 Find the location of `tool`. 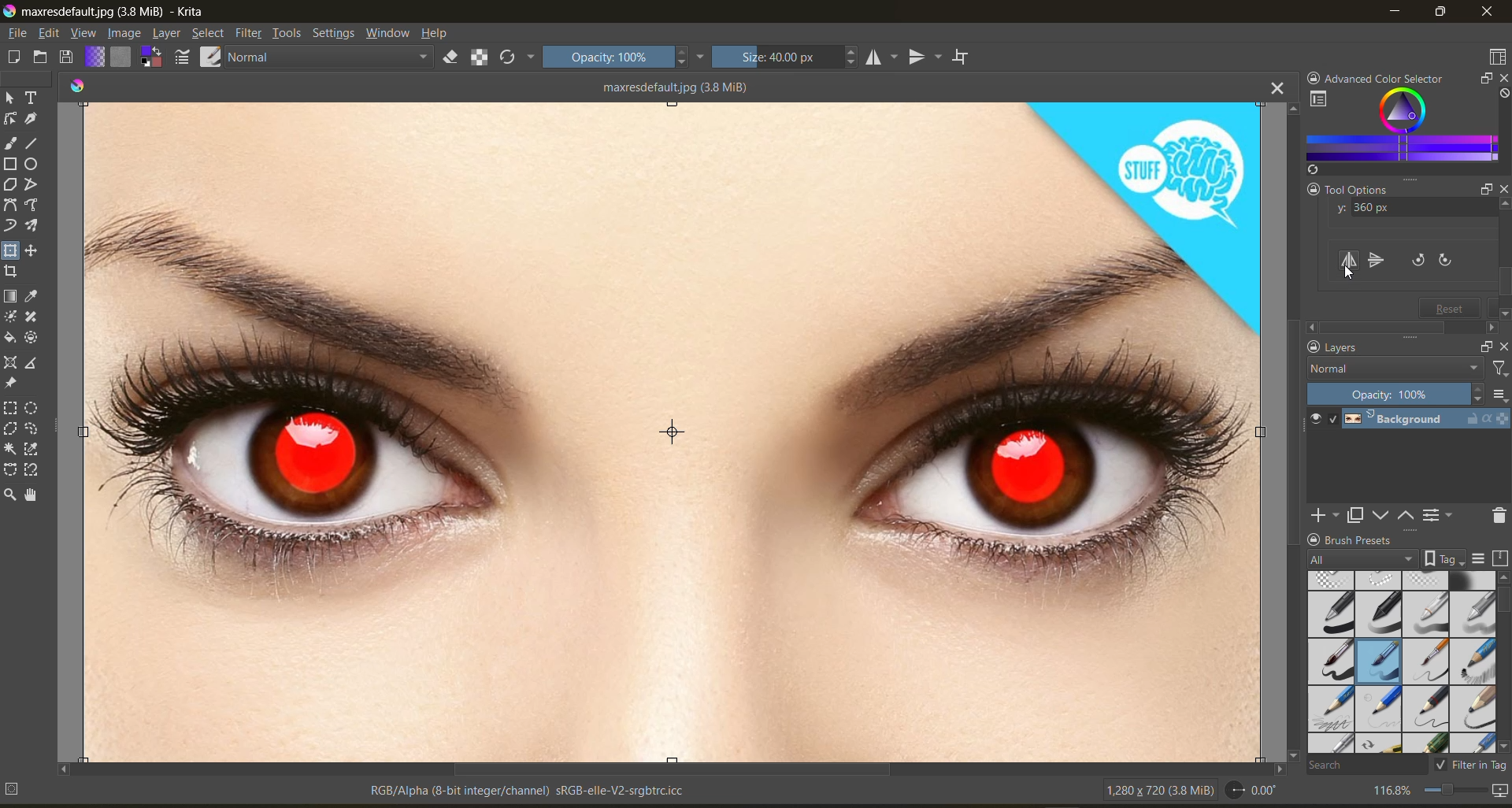

tool is located at coordinates (32, 496).